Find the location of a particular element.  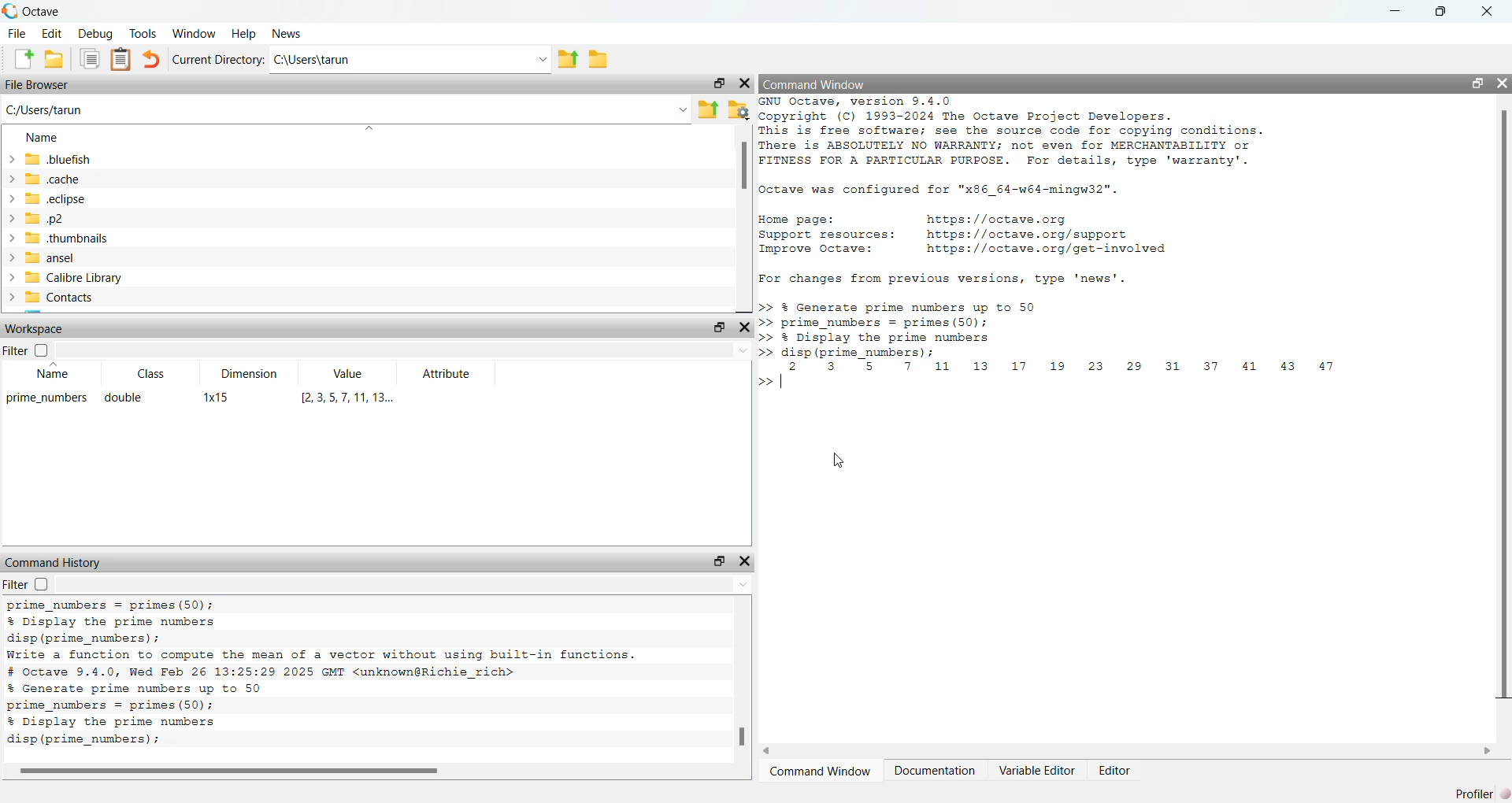

workspace is located at coordinates (35, 328).